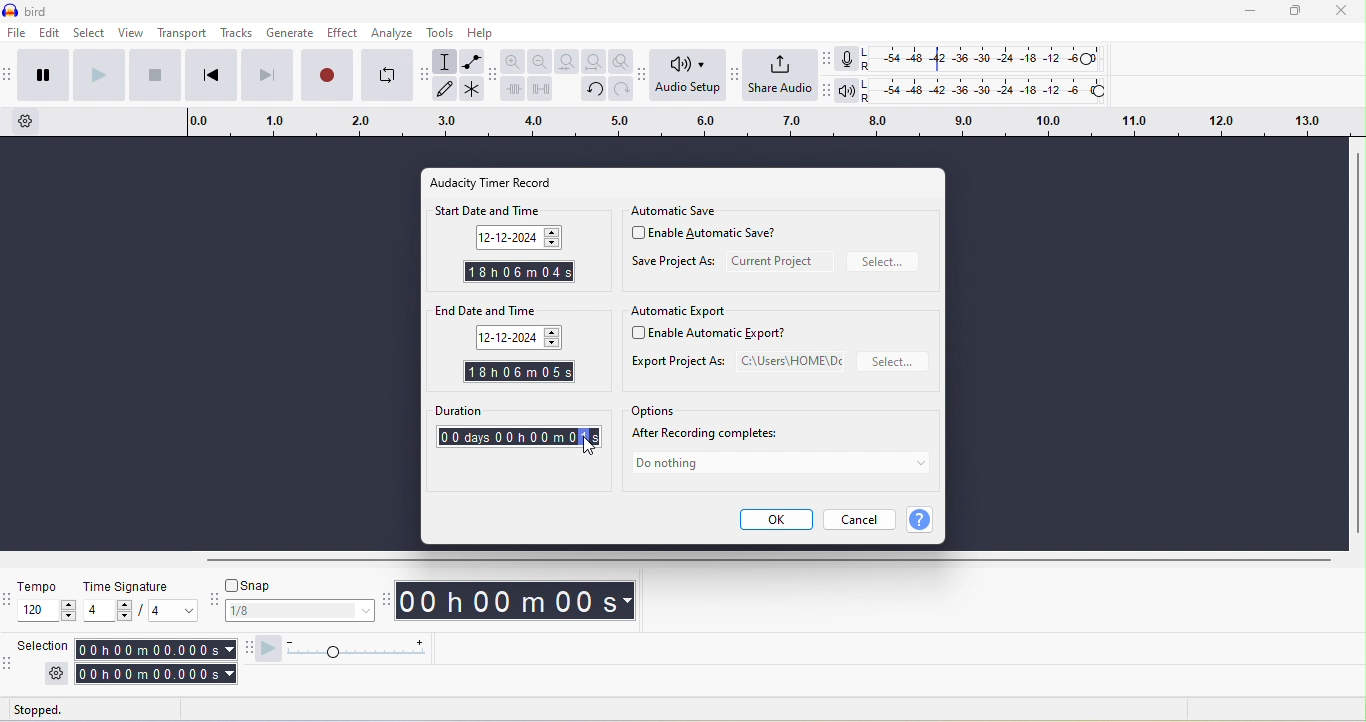  I want to click on audacity play back meter toolbar, so click(823, 93).